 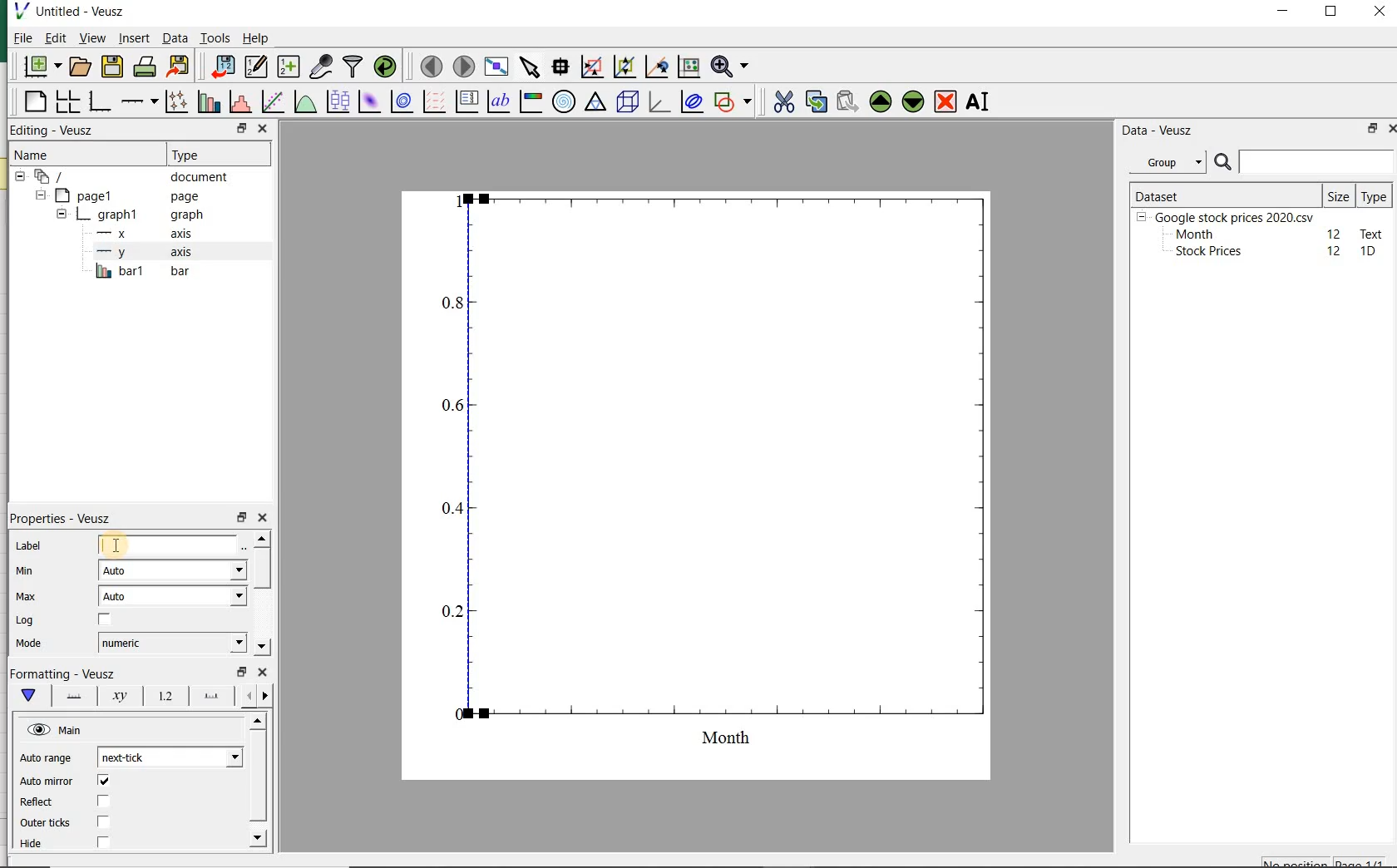 I want to click on 3d scene, so click(x=628, y=103).